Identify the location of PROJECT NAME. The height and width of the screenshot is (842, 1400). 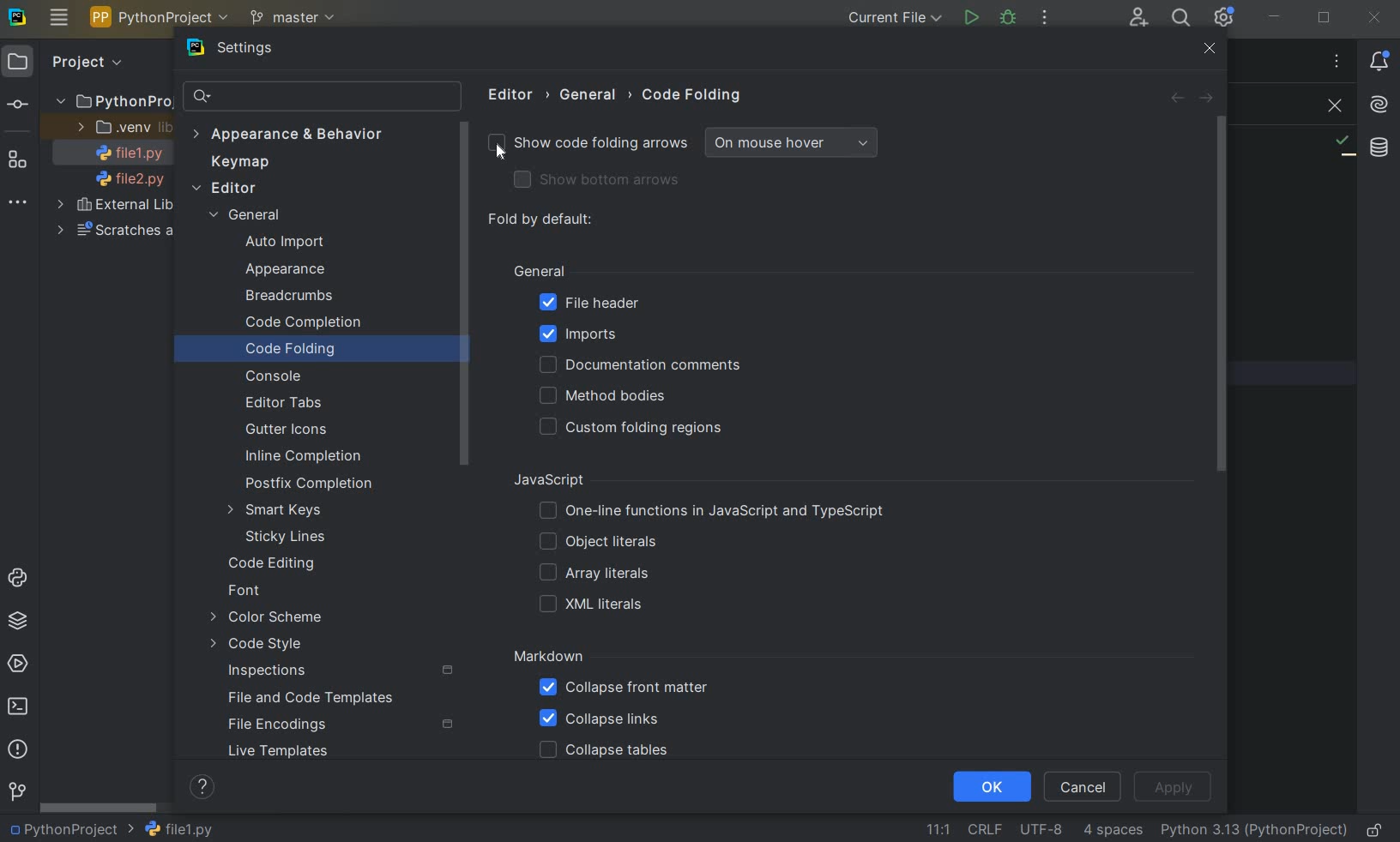
(70, 830).